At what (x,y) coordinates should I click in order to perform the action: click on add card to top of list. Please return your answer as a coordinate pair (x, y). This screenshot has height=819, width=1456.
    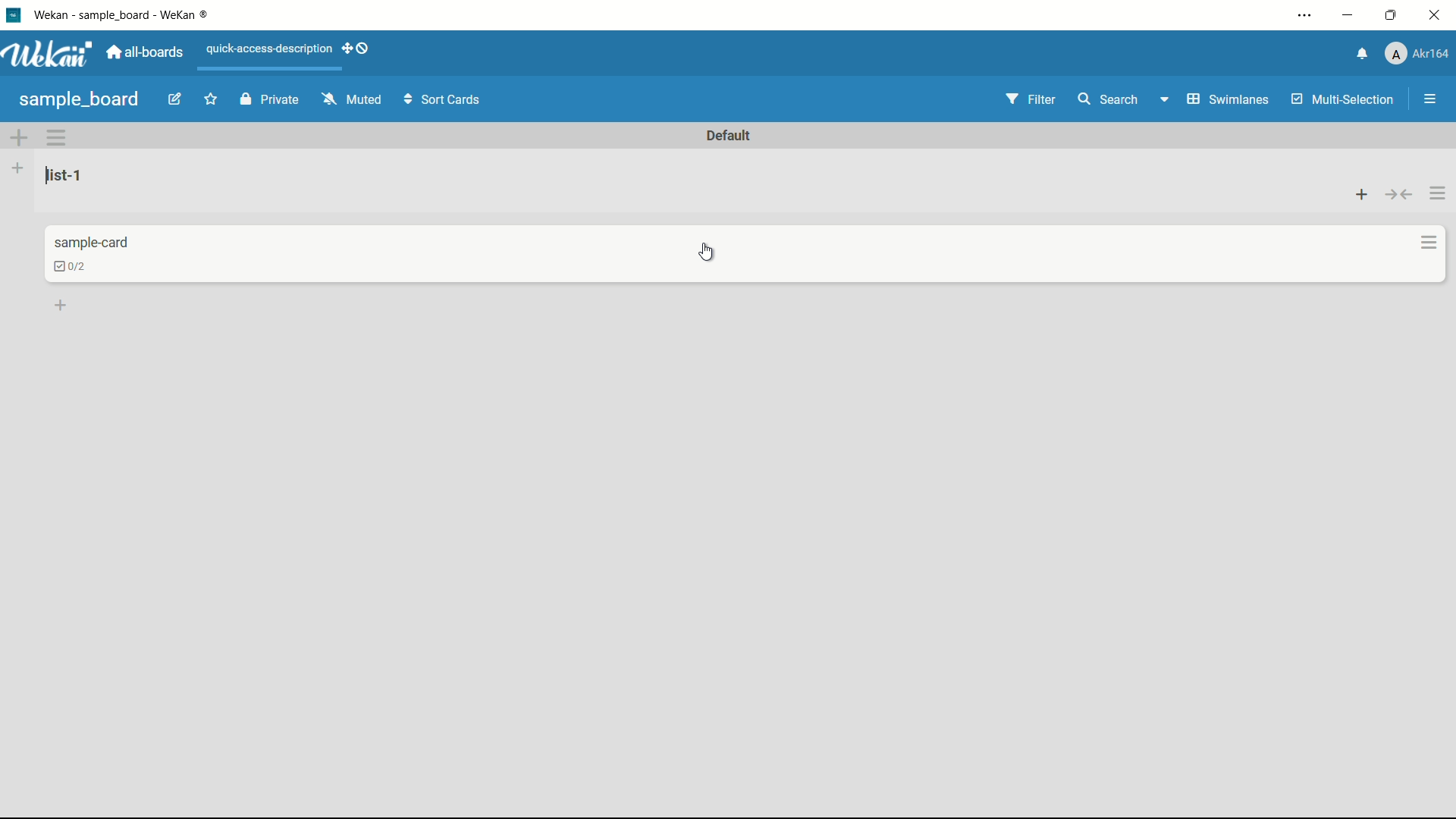
    Looking at the image, I should click on (1363, 196).